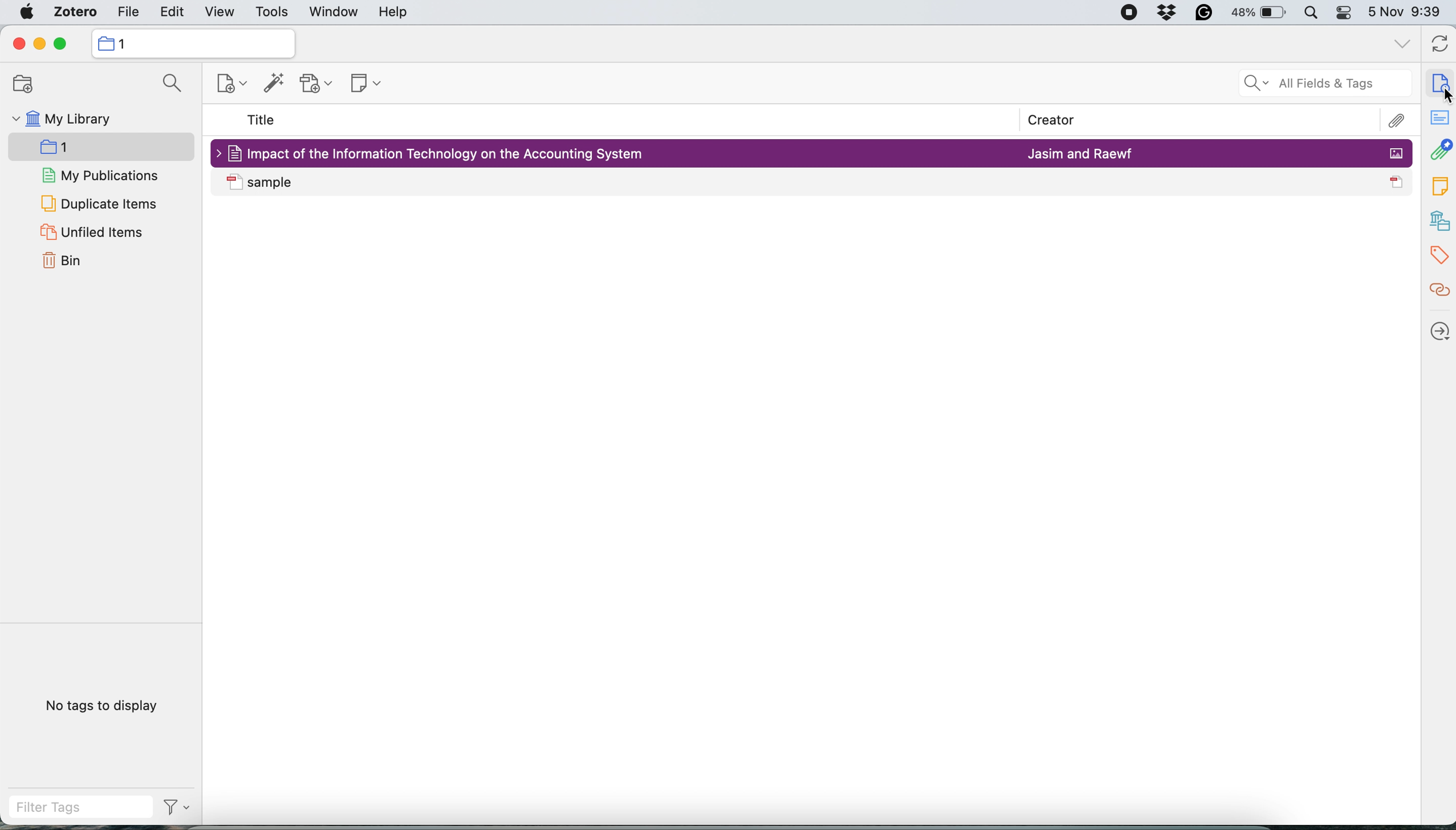 Image resolution: width=1456 pixels, height=830 pixels. Describe the element at coordinates (318, 83) in the screenshot. I see `add attachement` at that location.